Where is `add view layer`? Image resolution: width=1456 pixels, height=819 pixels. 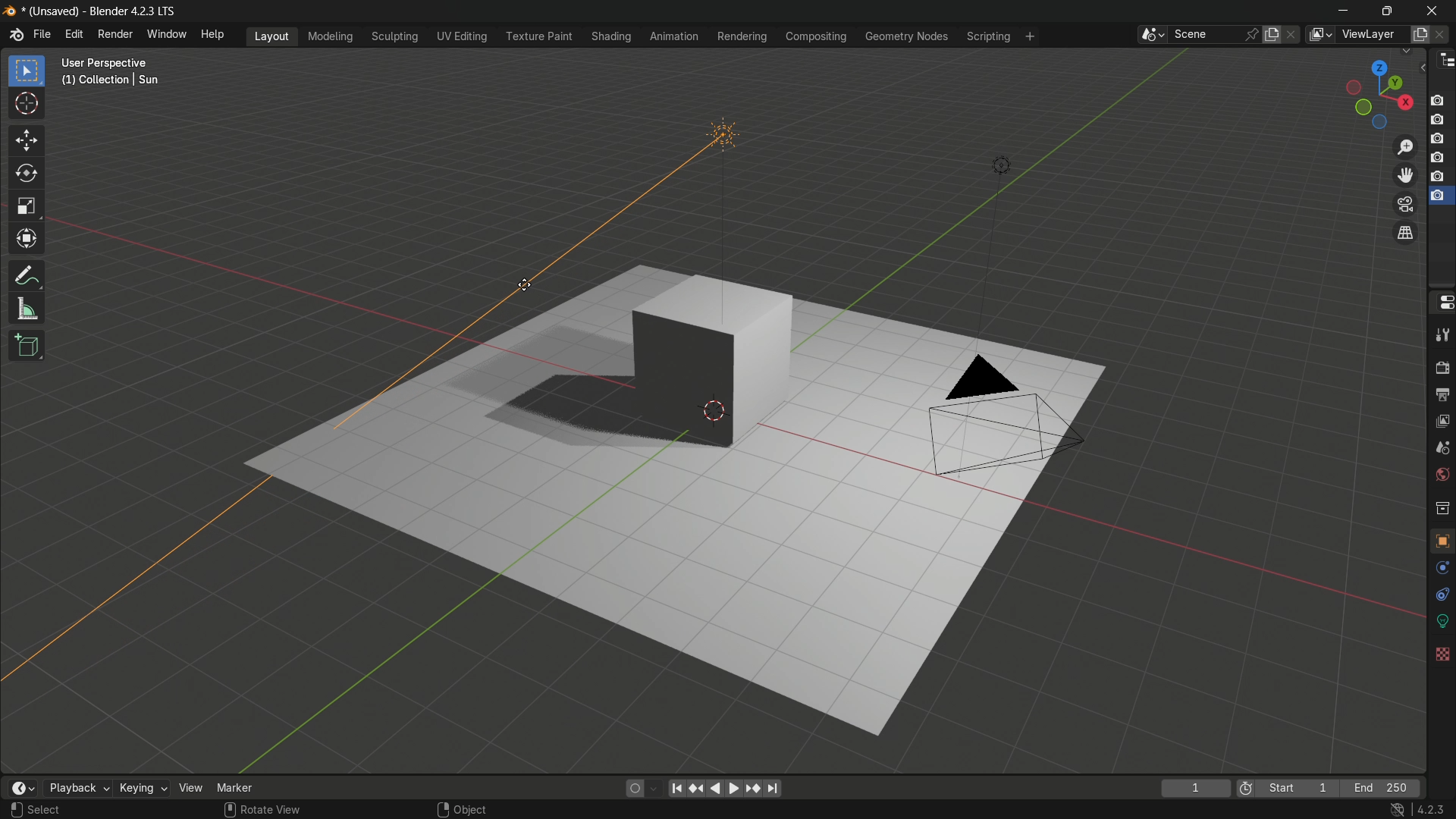
add view layer is located at coordinates (1420, 33).